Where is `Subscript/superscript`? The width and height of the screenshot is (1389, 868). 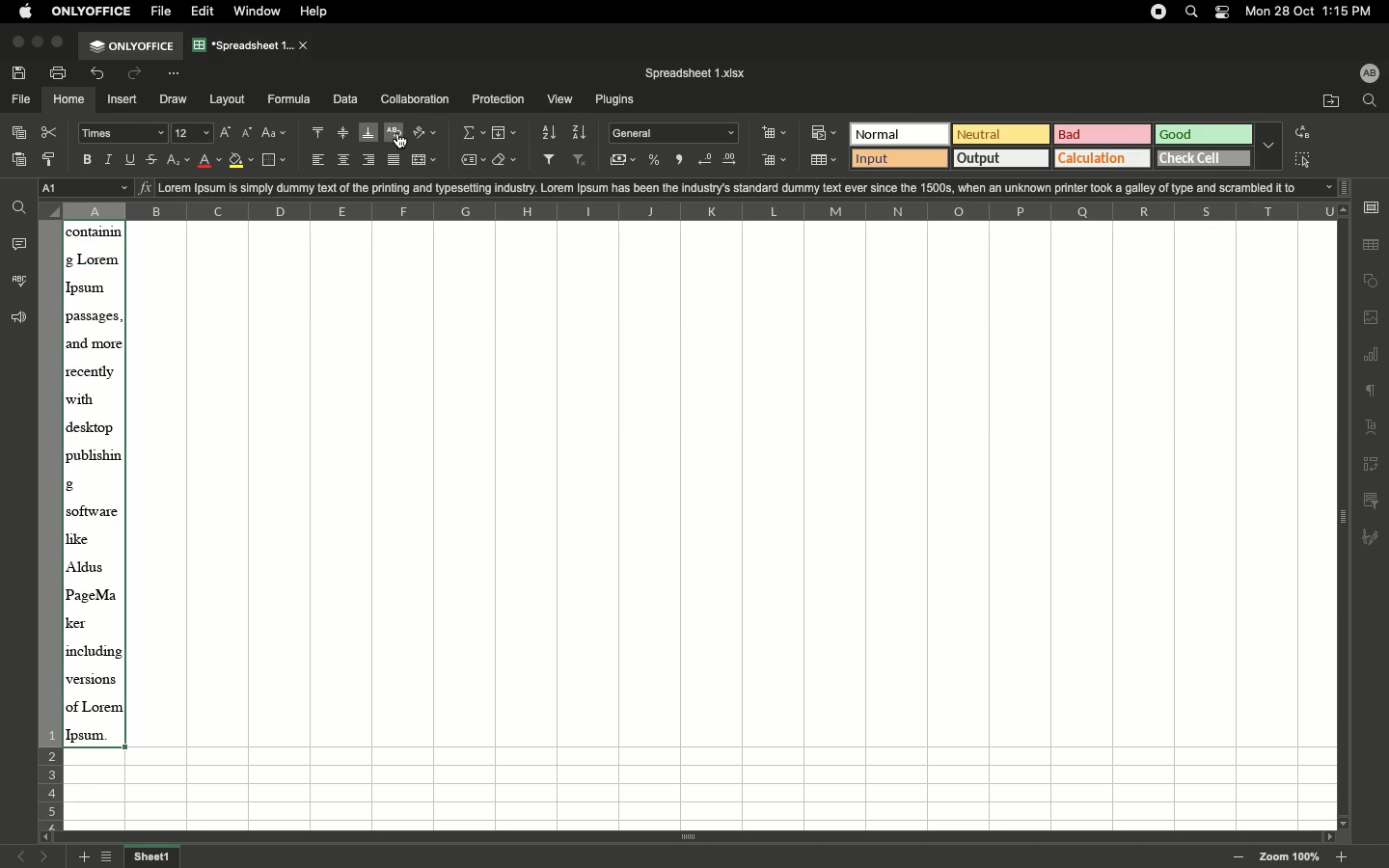 Subscript/superscript is located at coordinates (179, 161).